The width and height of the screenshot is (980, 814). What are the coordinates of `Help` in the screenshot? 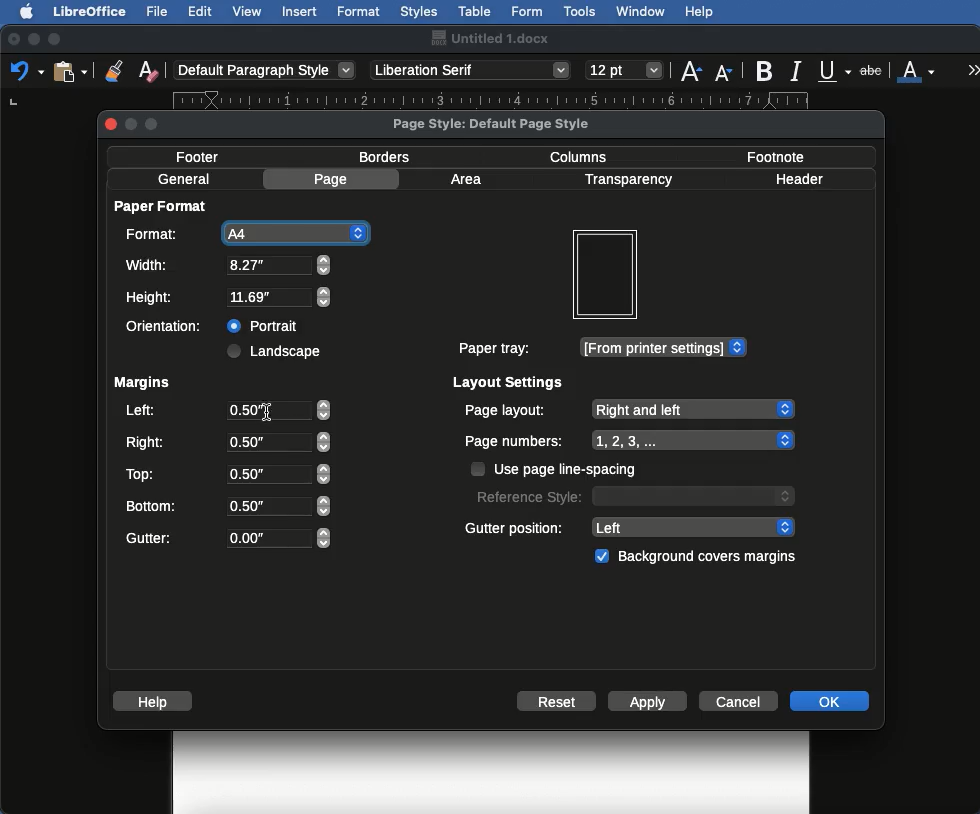 It's located at (699, 12).